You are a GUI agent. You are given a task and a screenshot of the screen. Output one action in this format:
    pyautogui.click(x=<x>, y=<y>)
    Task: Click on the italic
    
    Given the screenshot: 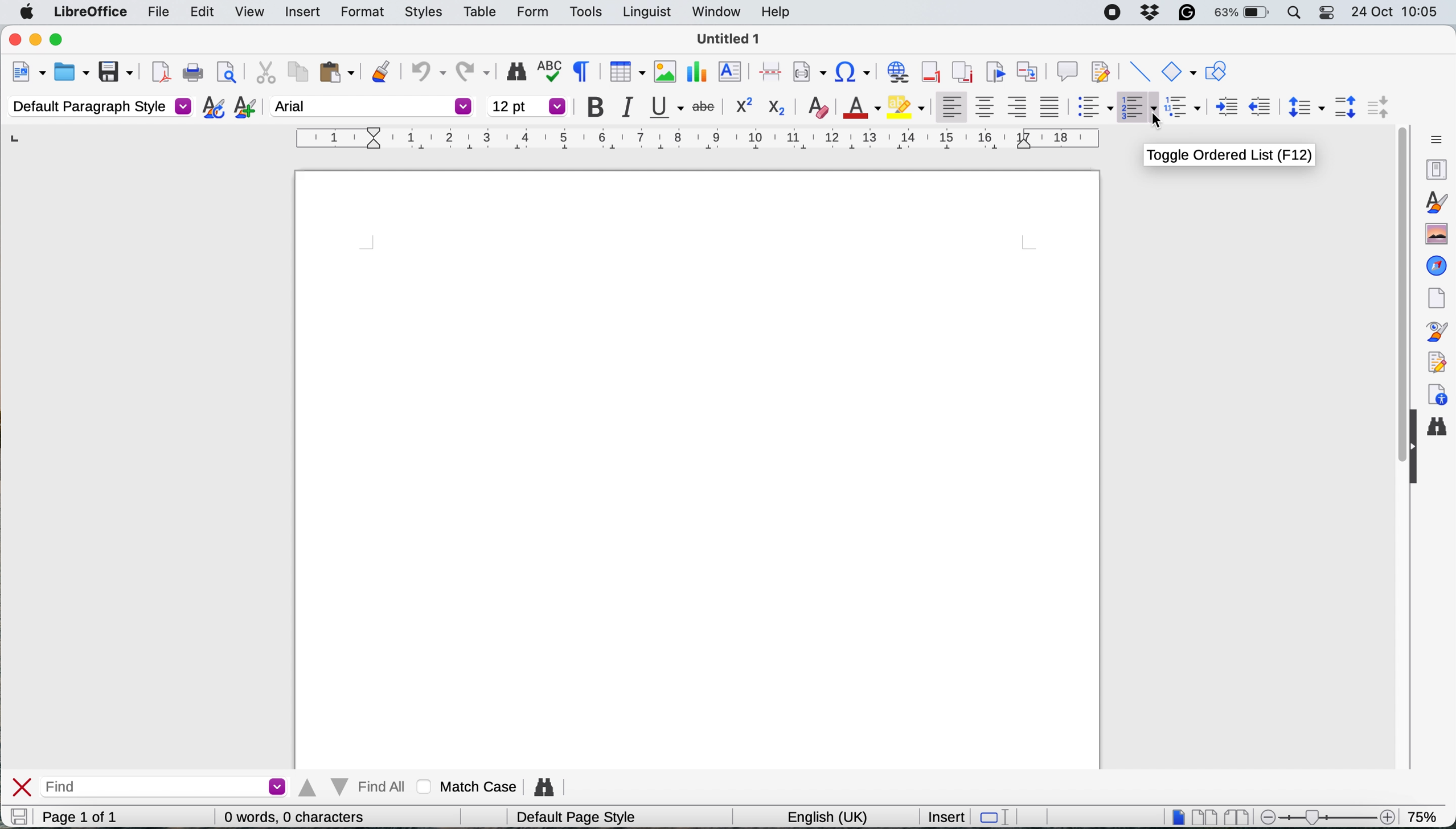 What is the action you would take?
    pyautogui.click(x=633, y=108)
    